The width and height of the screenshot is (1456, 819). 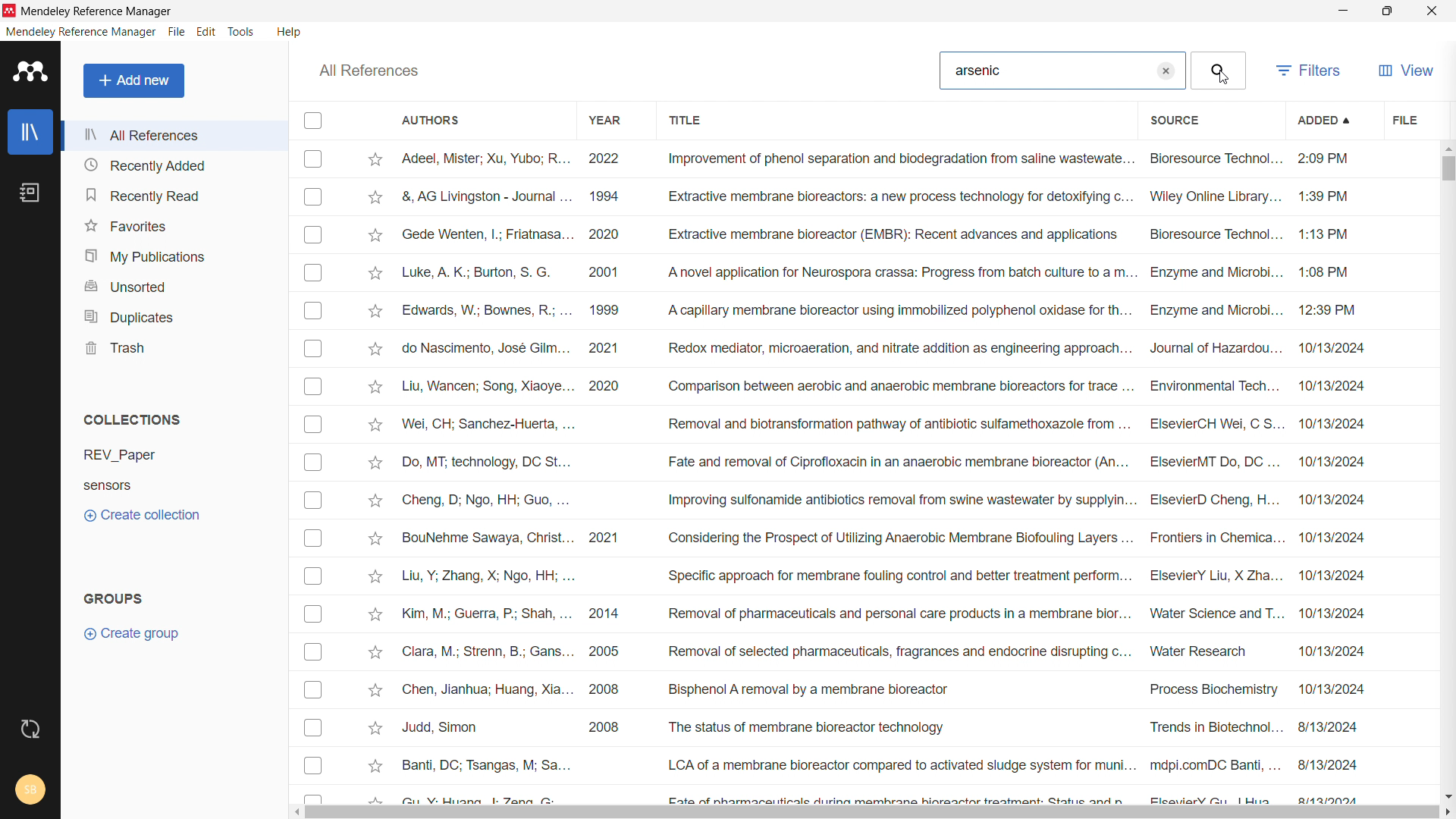 What do you see at coordinates (375, 498) in the screenshot?
I see `Add to favorites` at bounding box center [375, 498].